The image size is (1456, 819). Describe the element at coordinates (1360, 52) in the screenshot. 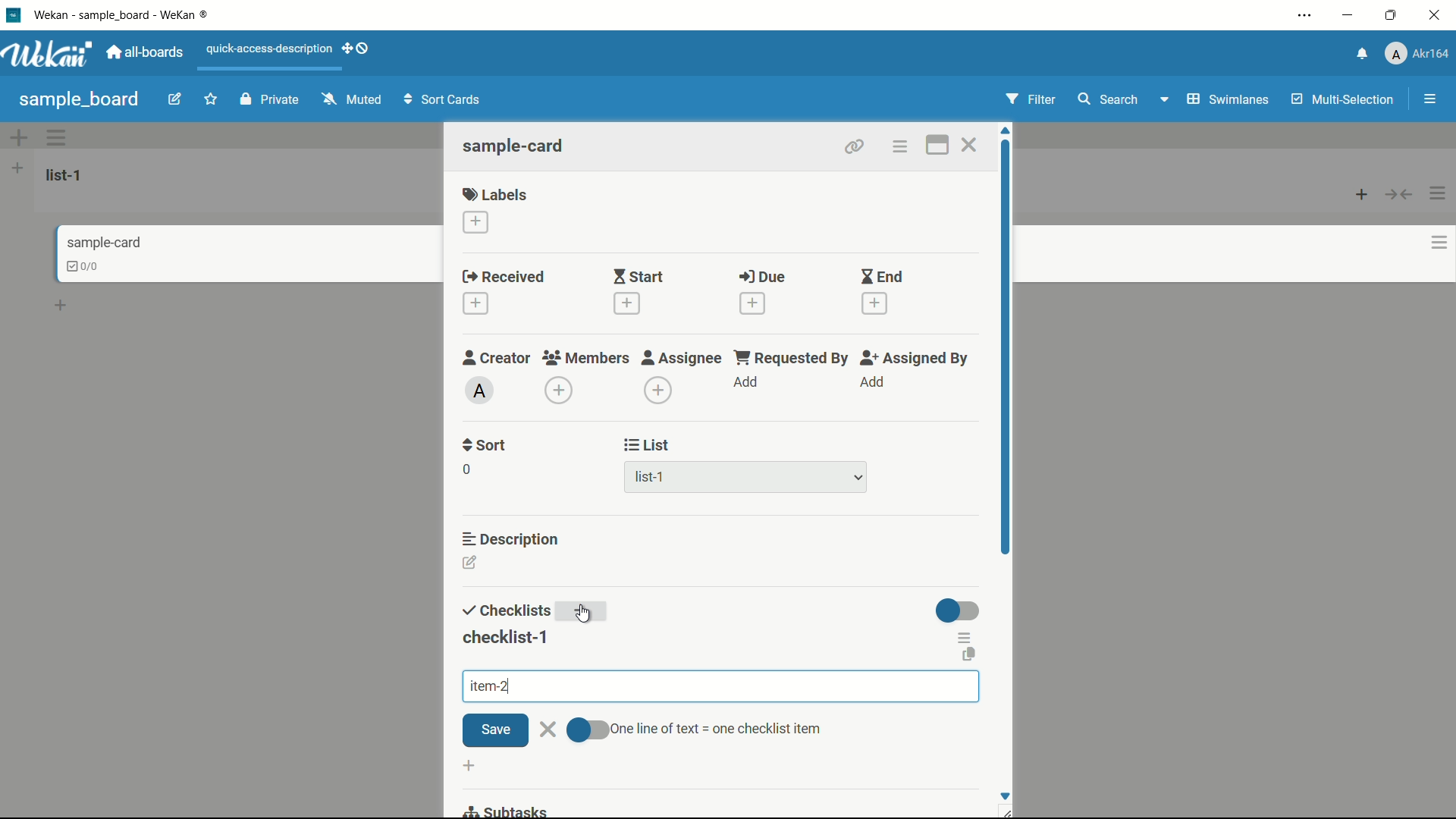

I see `notifications` at that location.